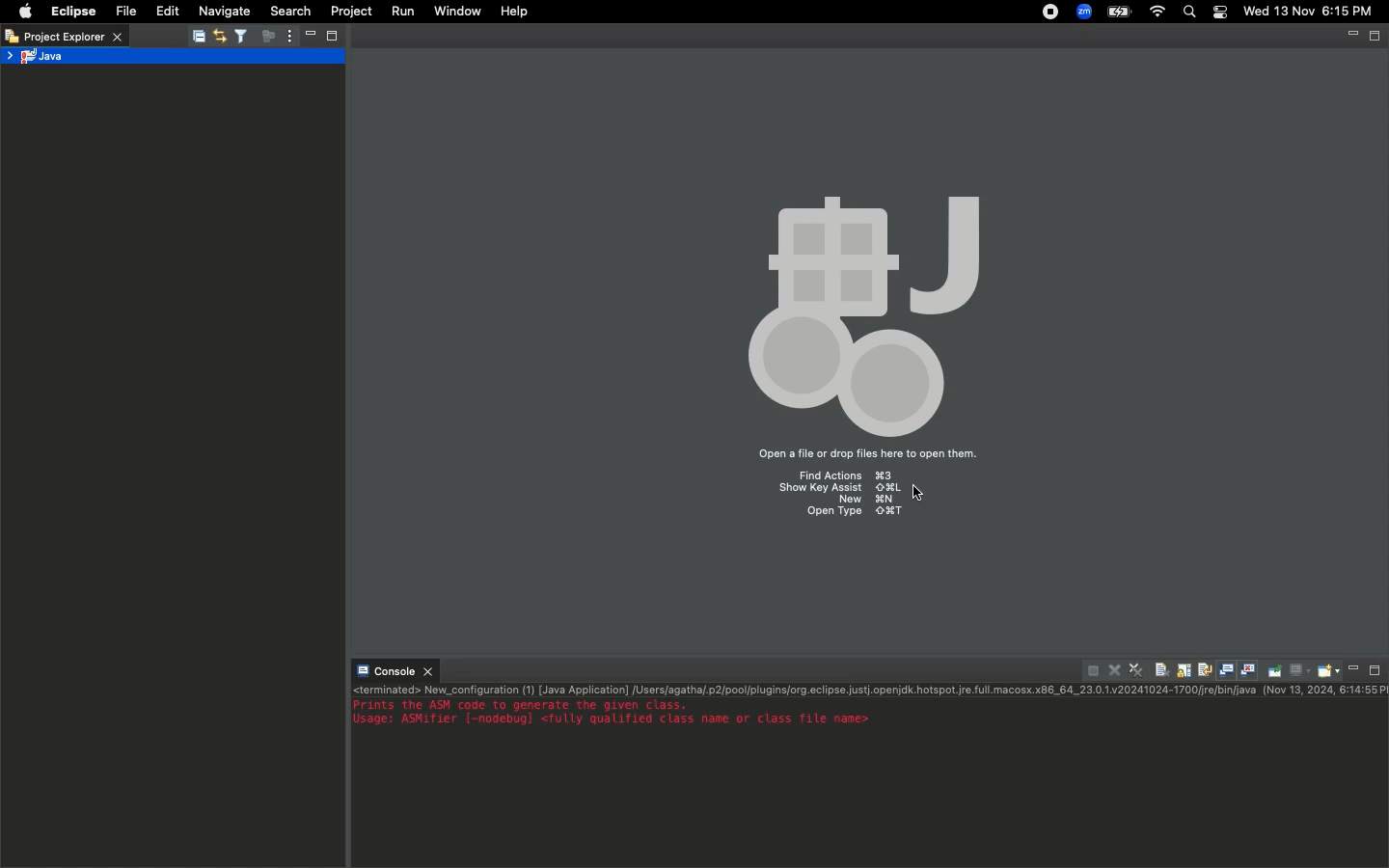 Image resolution: width=1389 pixels, height=868 pixels. Describe the element at coordinates (1279, 670) in the screenshot. I see `Pin console` at that location.